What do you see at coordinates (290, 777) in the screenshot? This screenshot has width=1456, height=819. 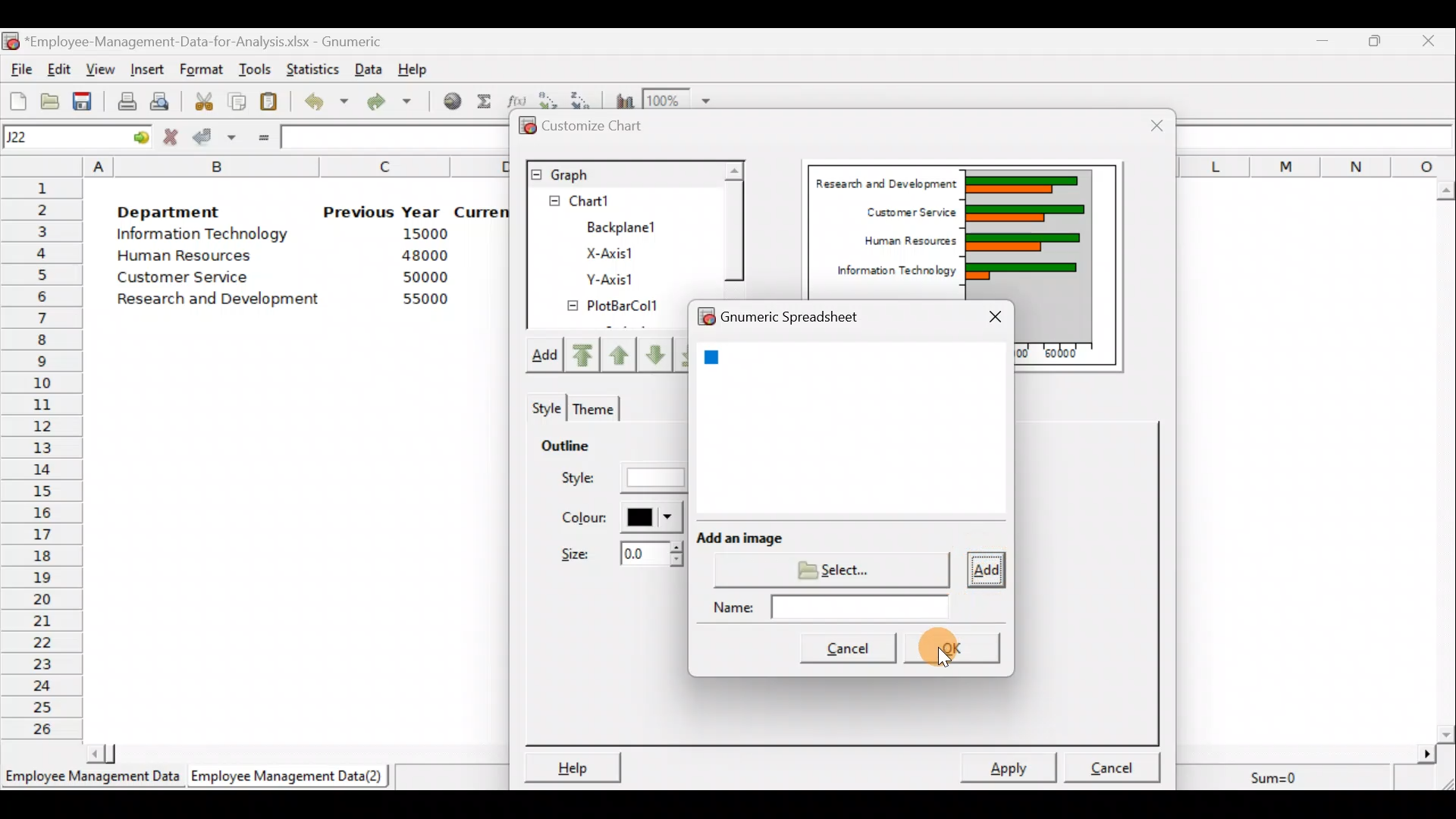 I see `Employee Management Data (2)` at bounding box center [290, 777].